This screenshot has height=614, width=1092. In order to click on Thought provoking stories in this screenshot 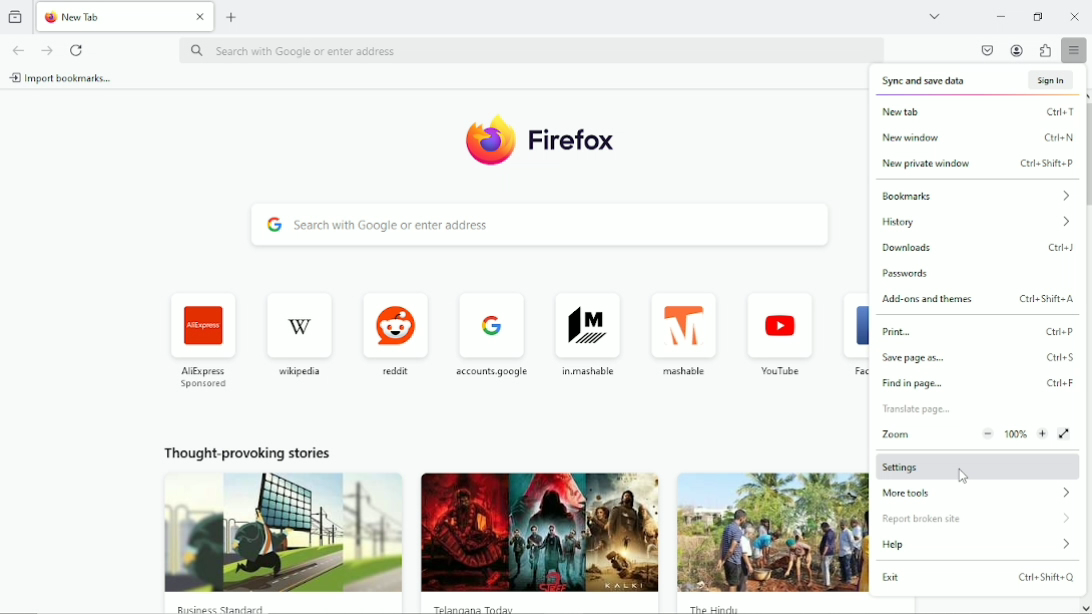, I will do `click(769, 533)`.